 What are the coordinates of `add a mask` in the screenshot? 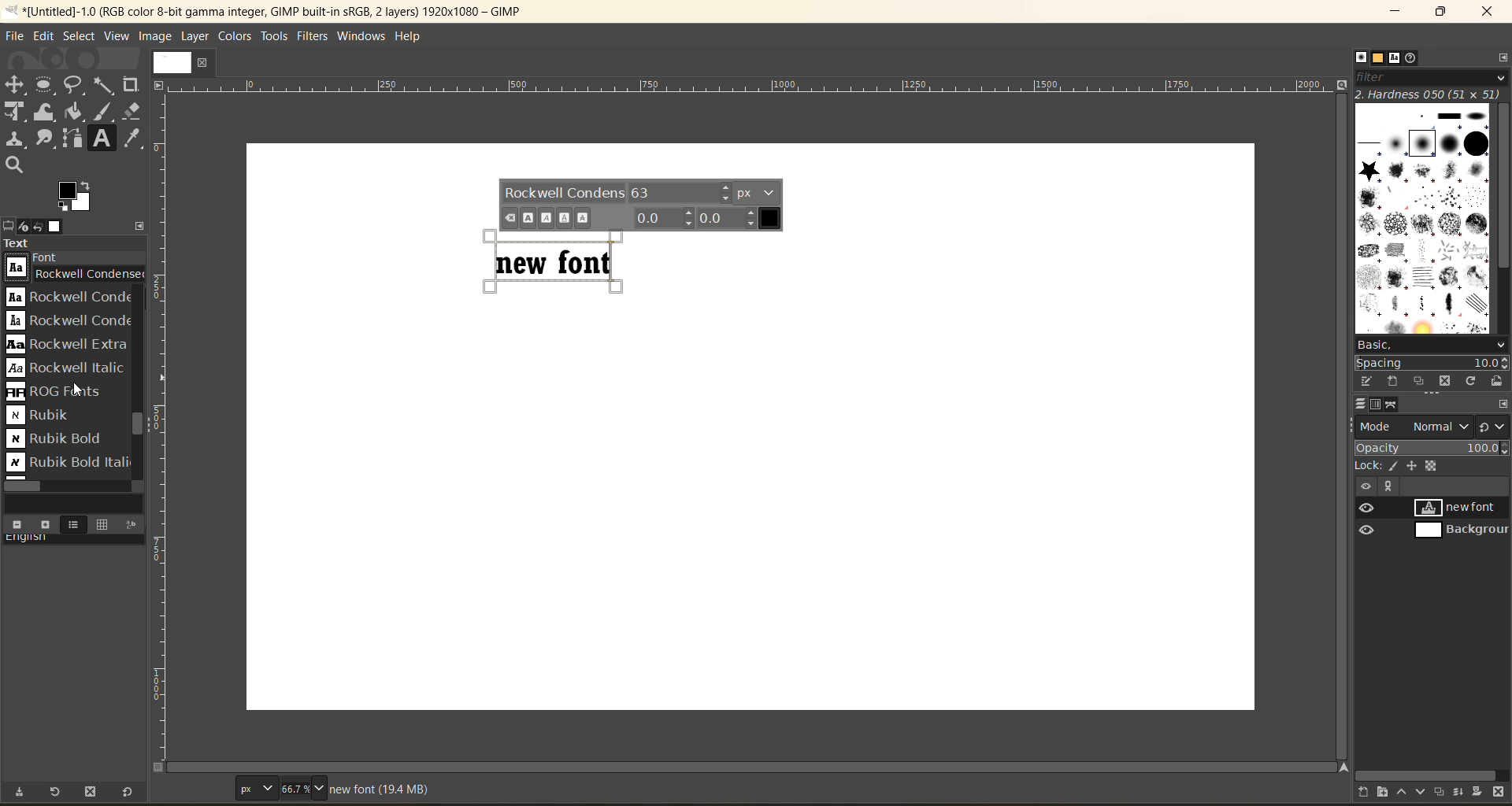 It's located at (1481, 792).